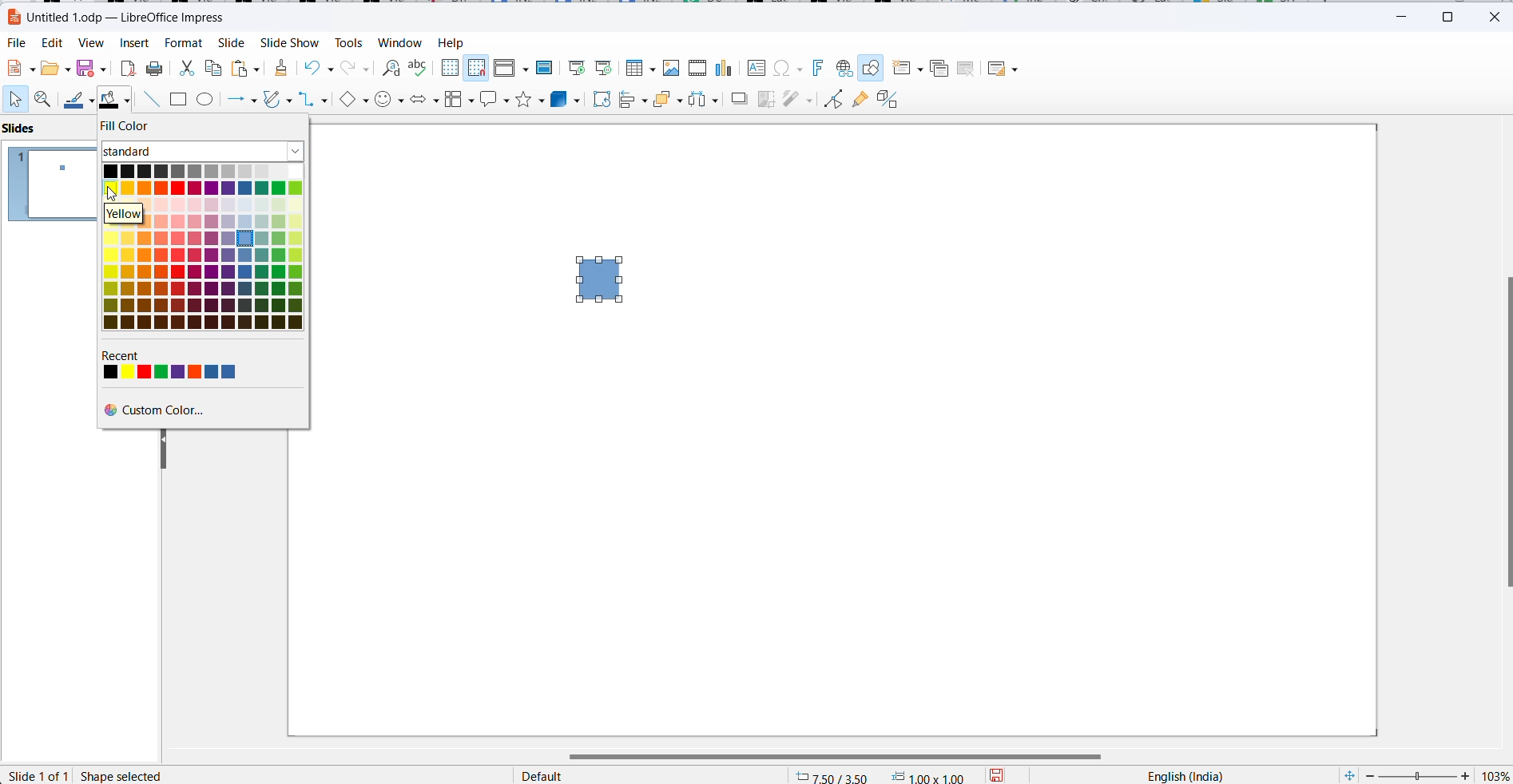 This screenshot has width=1513, height=784. I want to click on Snap to grid, so click(477, 68).